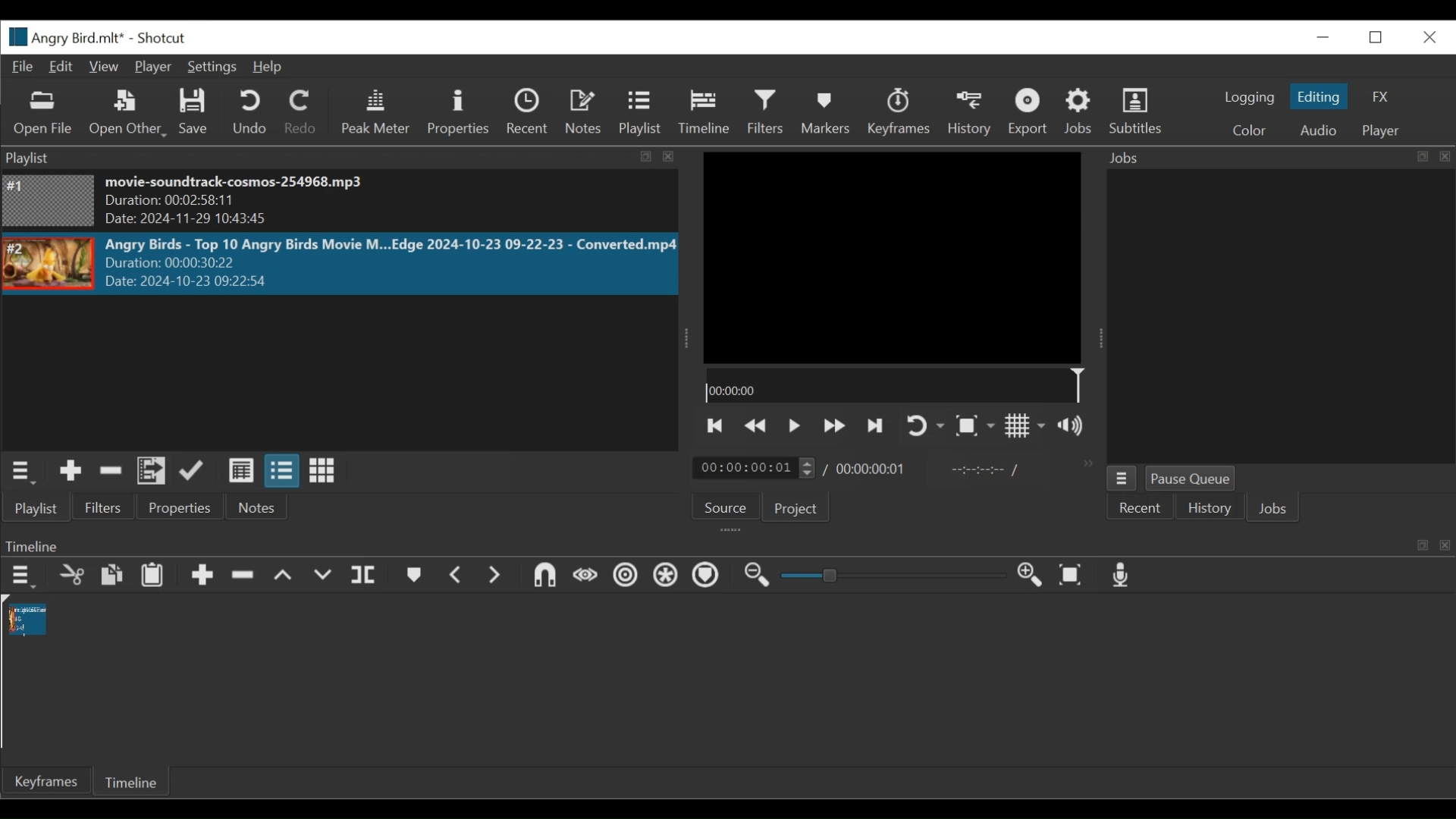 The width and height of the screenshot is (1456, 819). Describe the element at coordinates (256, 508) in the screenshot. I see `Notes` at that location.